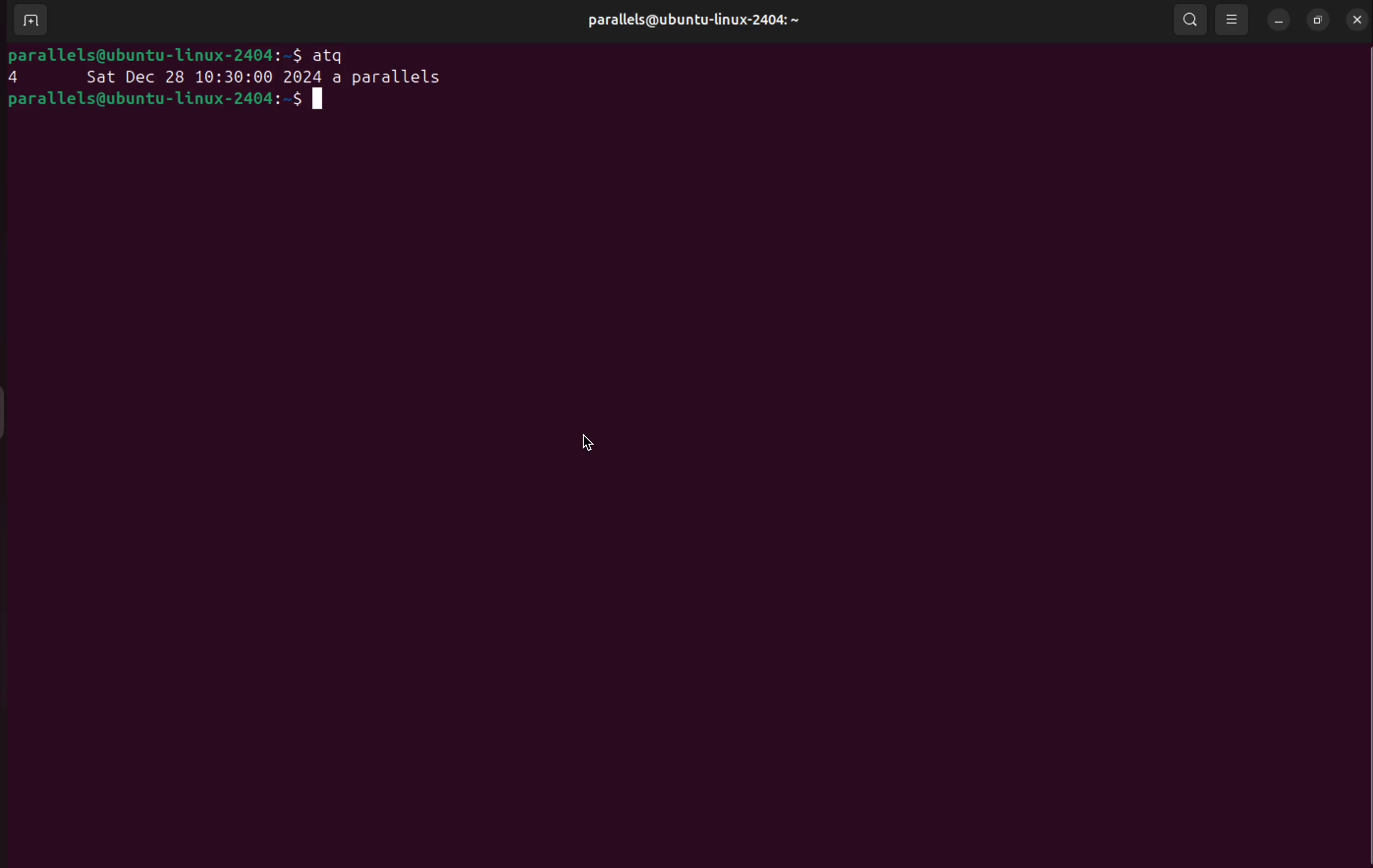  I want to click on bash prompt, so click(177, 56).